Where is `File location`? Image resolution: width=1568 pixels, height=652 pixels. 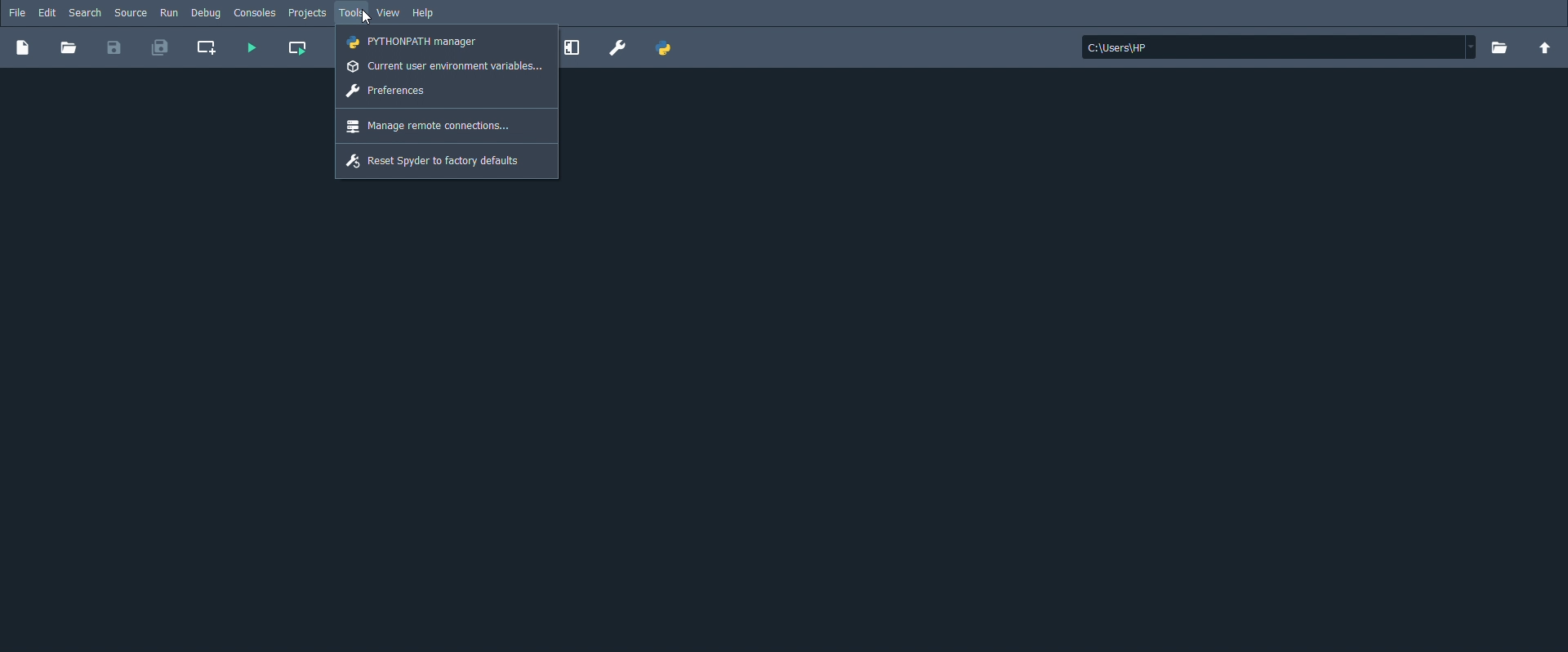 File location is located at coordinates (1280, 47).